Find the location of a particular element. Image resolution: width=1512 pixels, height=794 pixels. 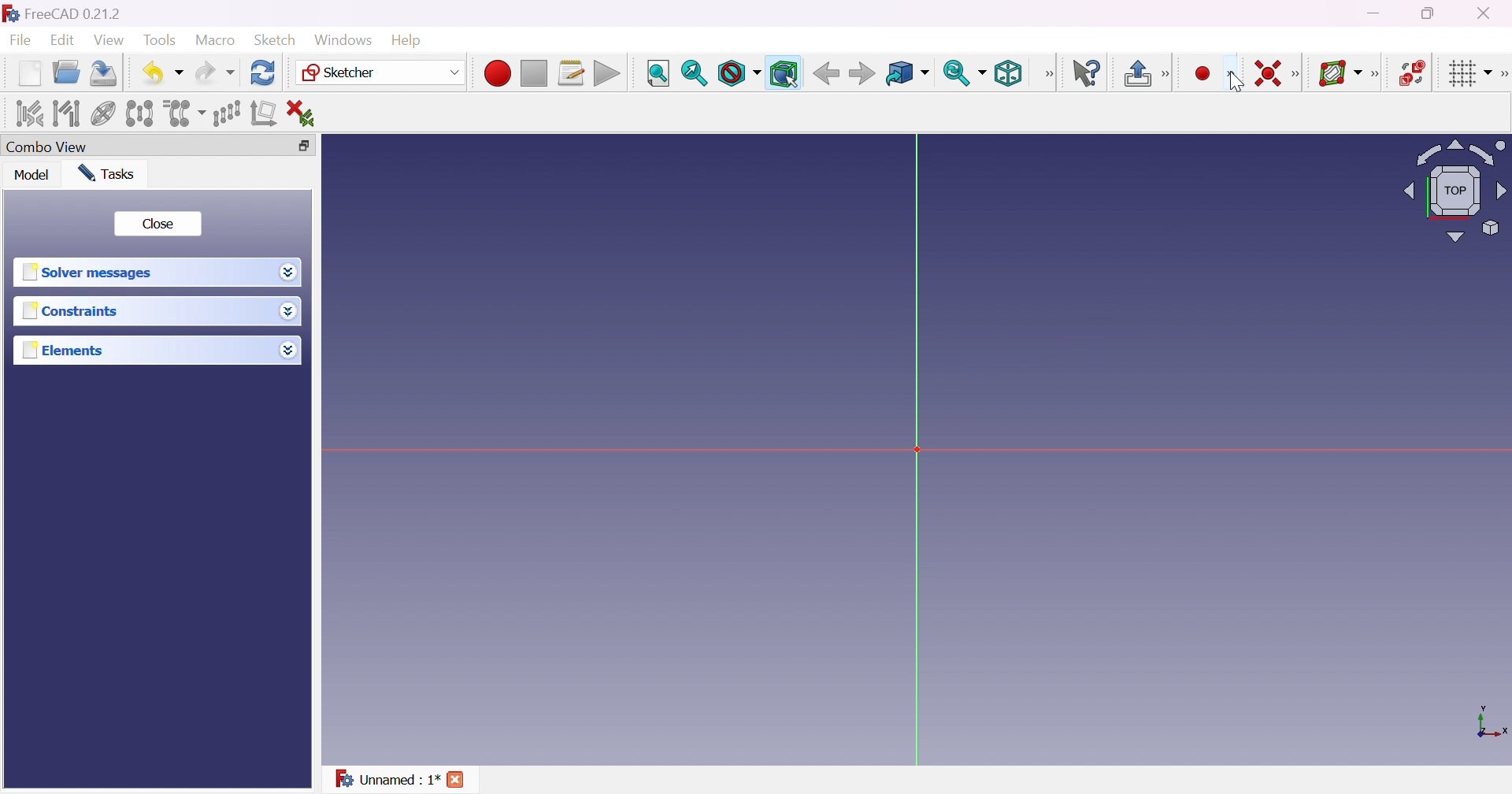

File is located at coordinates (20, 40).